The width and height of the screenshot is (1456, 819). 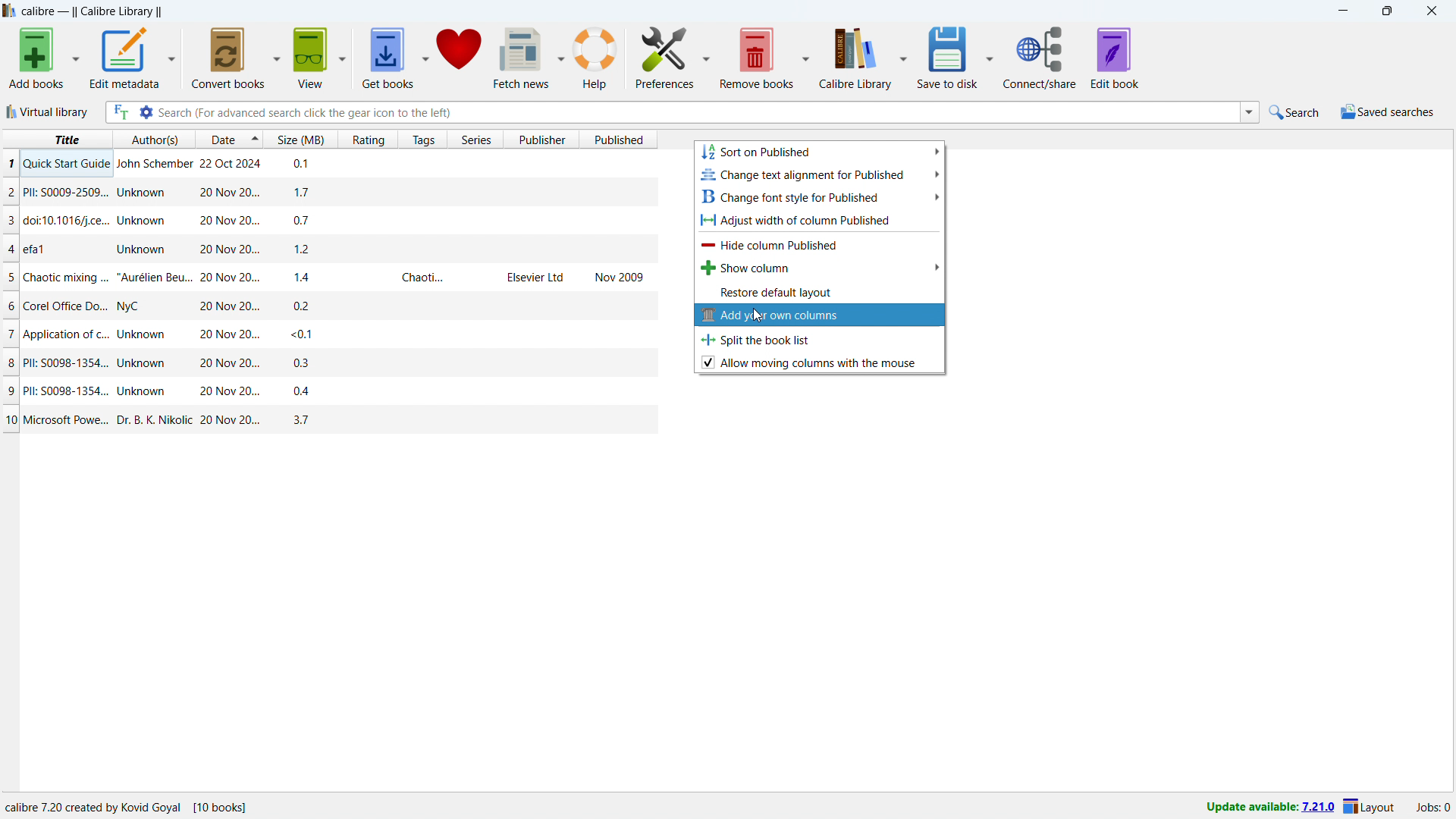 I want to click on convert books options, so click(x=278, y=56).